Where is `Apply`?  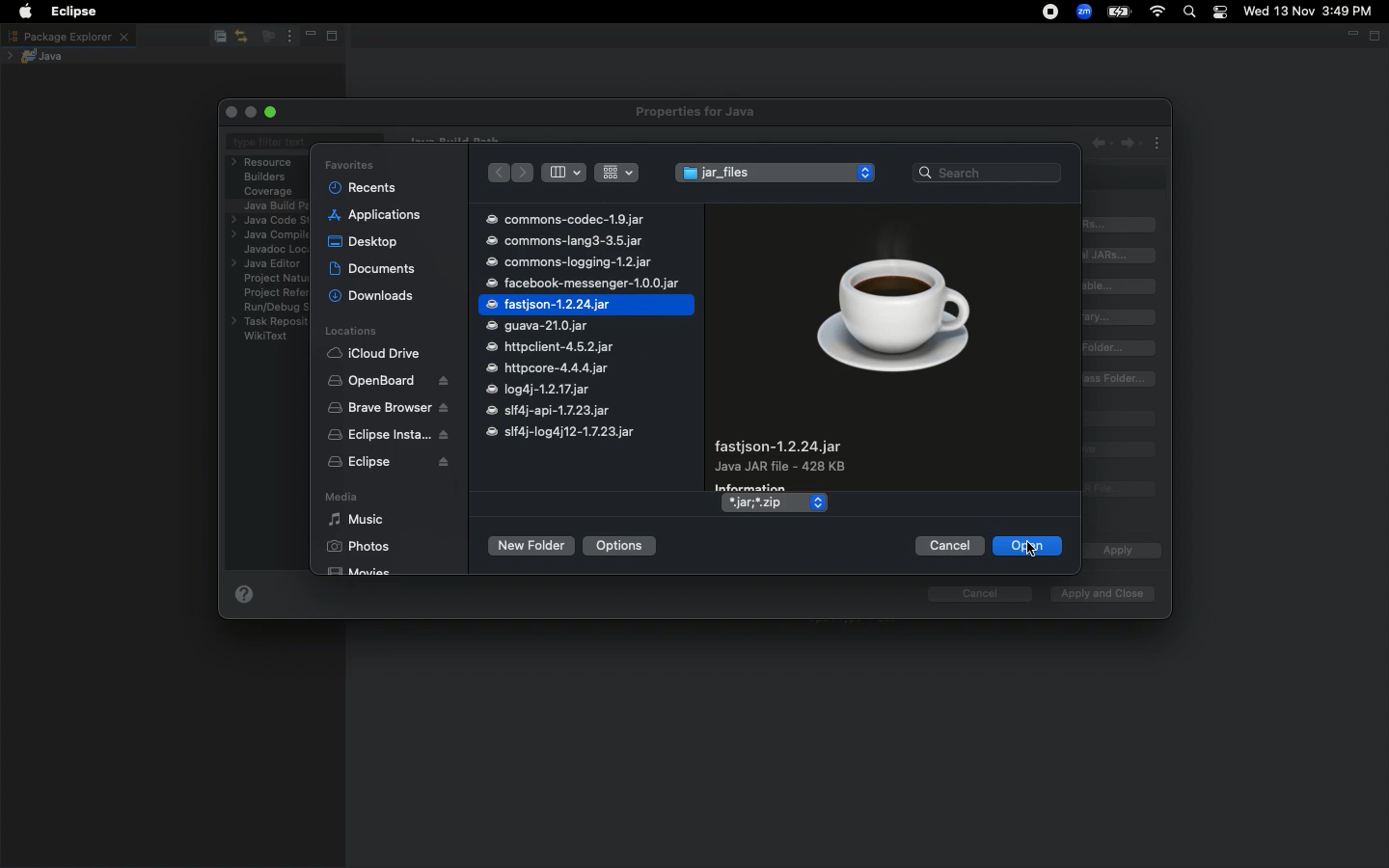 Apply is located at coordinates (1116, 552).